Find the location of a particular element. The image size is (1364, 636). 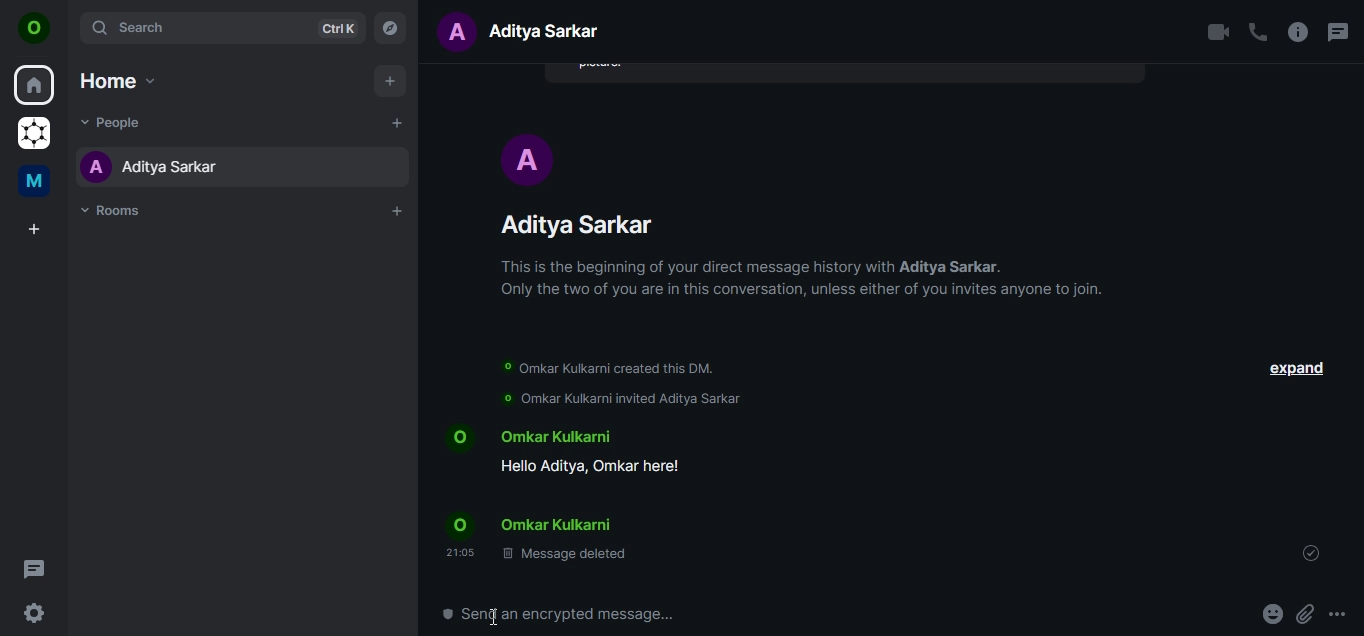

add room is located at coordinates (396, 211).